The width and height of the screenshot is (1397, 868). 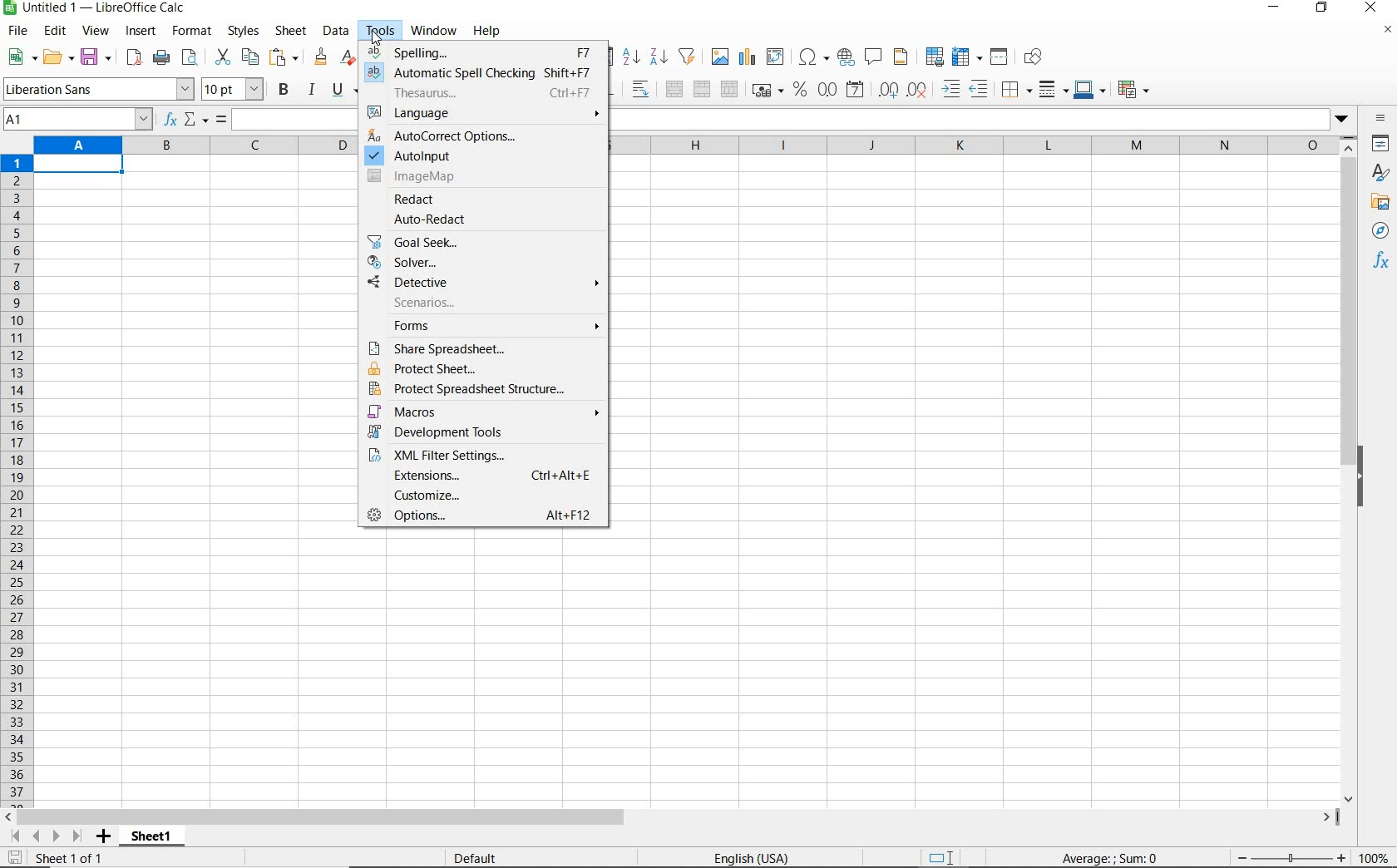 What do you see at coordinates (440, 175) in the screenshot?
I see `imagemap` at bounding box center [440, 175].